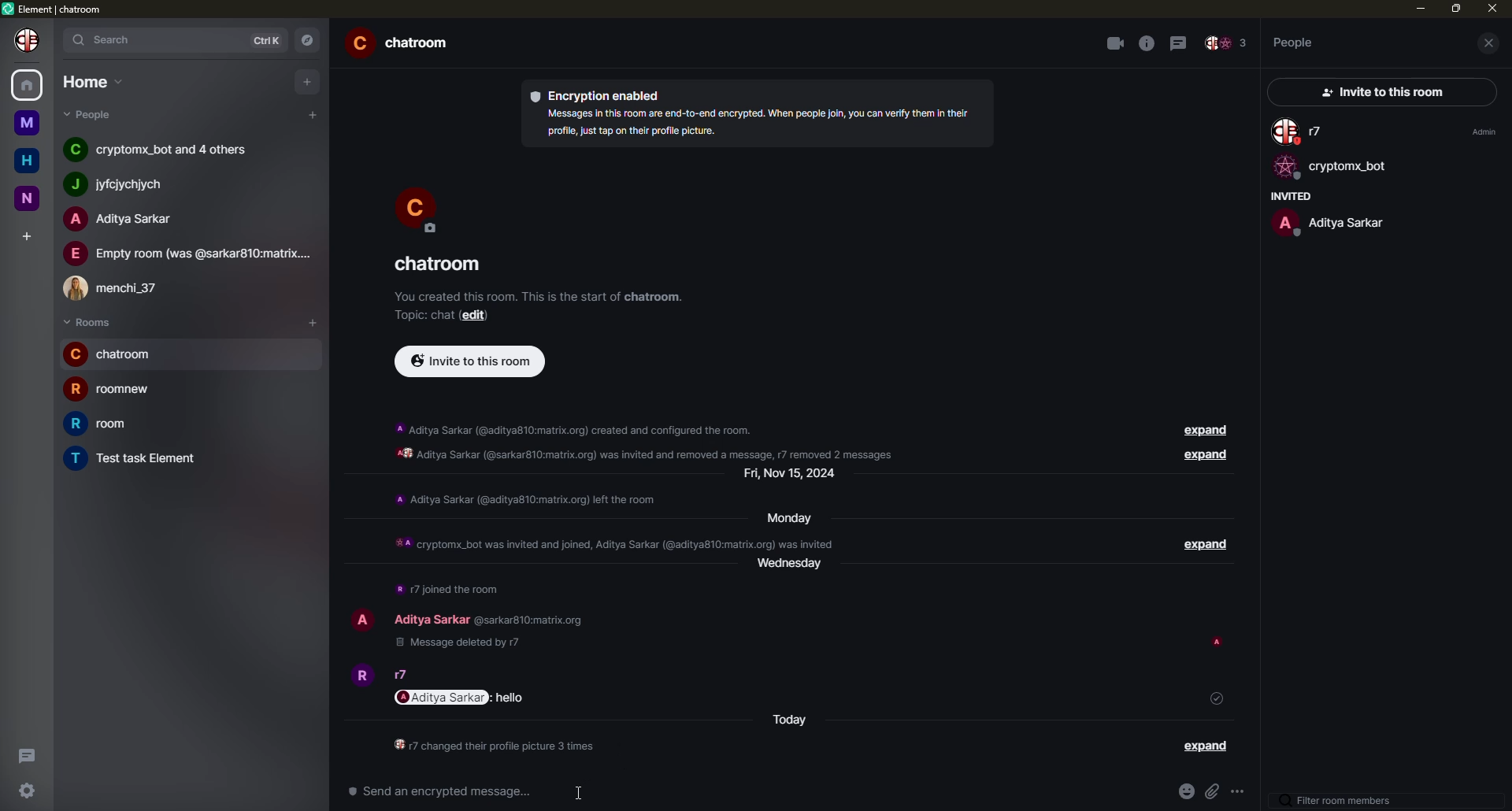 This screenshot has height=811, width=1512. What do you see at coordinates (539, 295) in the screenshot?
I see `info` at bounding box center [539, 295].